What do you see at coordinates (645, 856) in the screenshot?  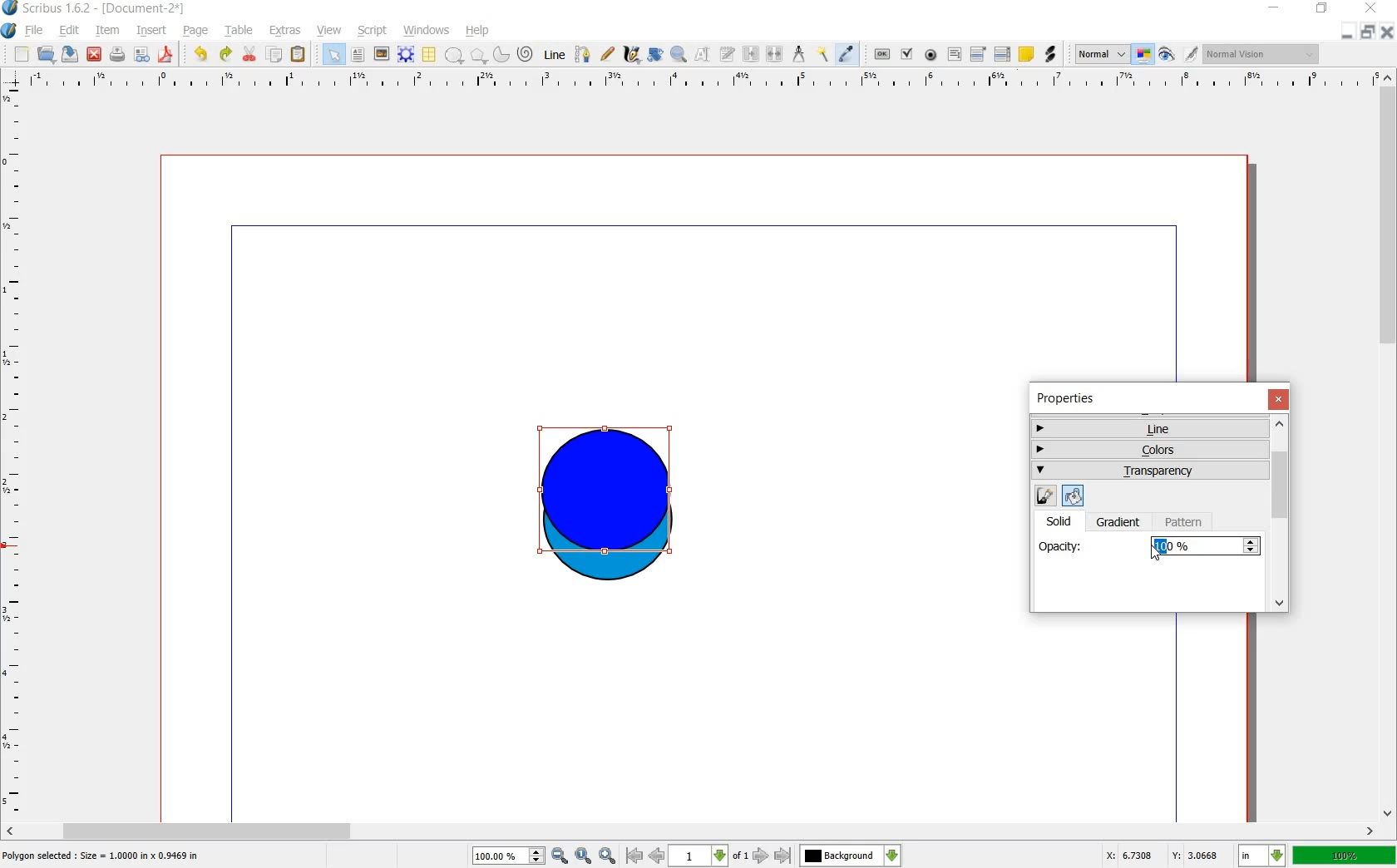 I see `go to first or previous page` at bounding box center [645, 856].